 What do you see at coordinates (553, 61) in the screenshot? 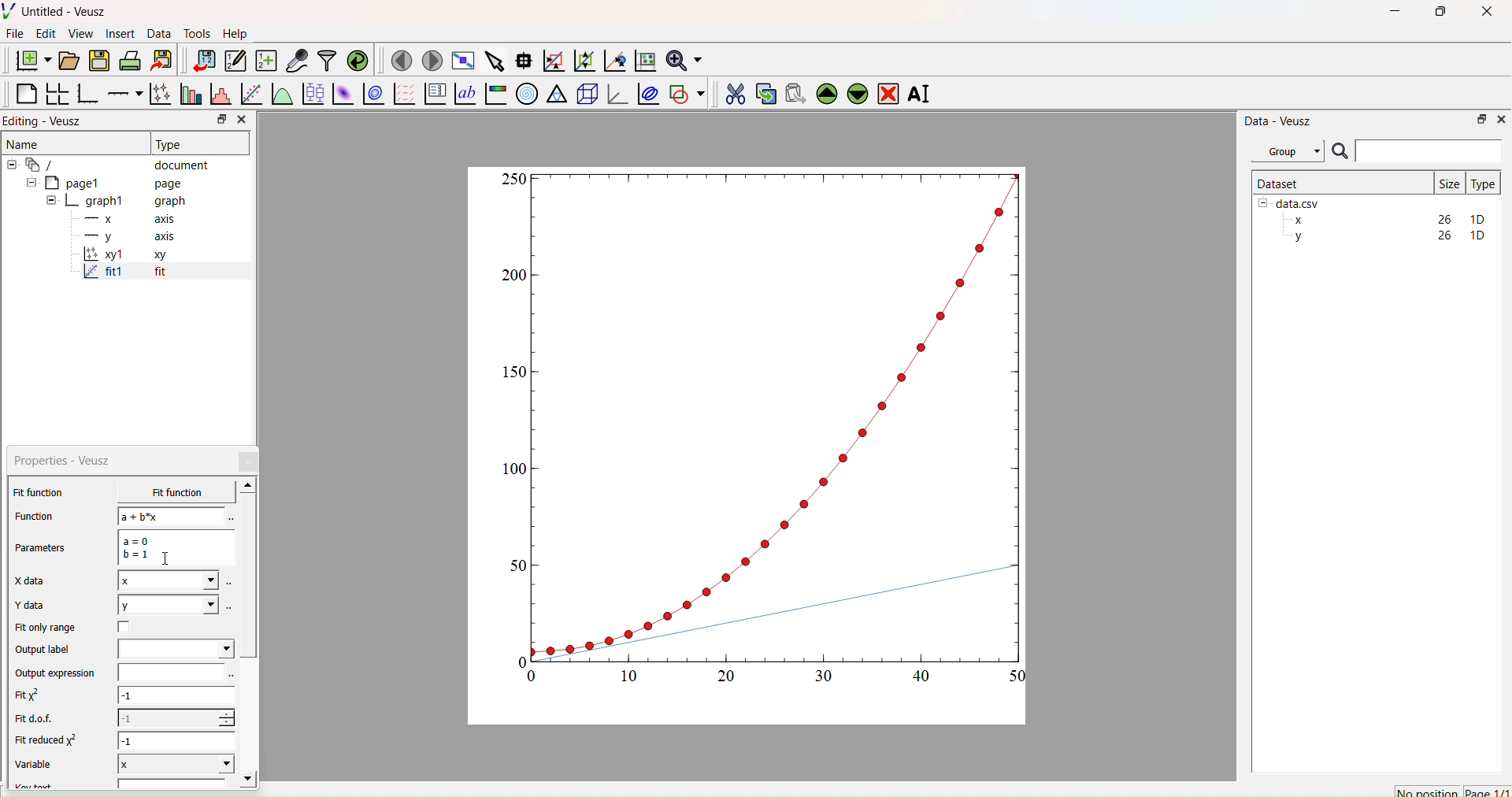
I see `Zoom graph axes` at bounding box center [553, 61].